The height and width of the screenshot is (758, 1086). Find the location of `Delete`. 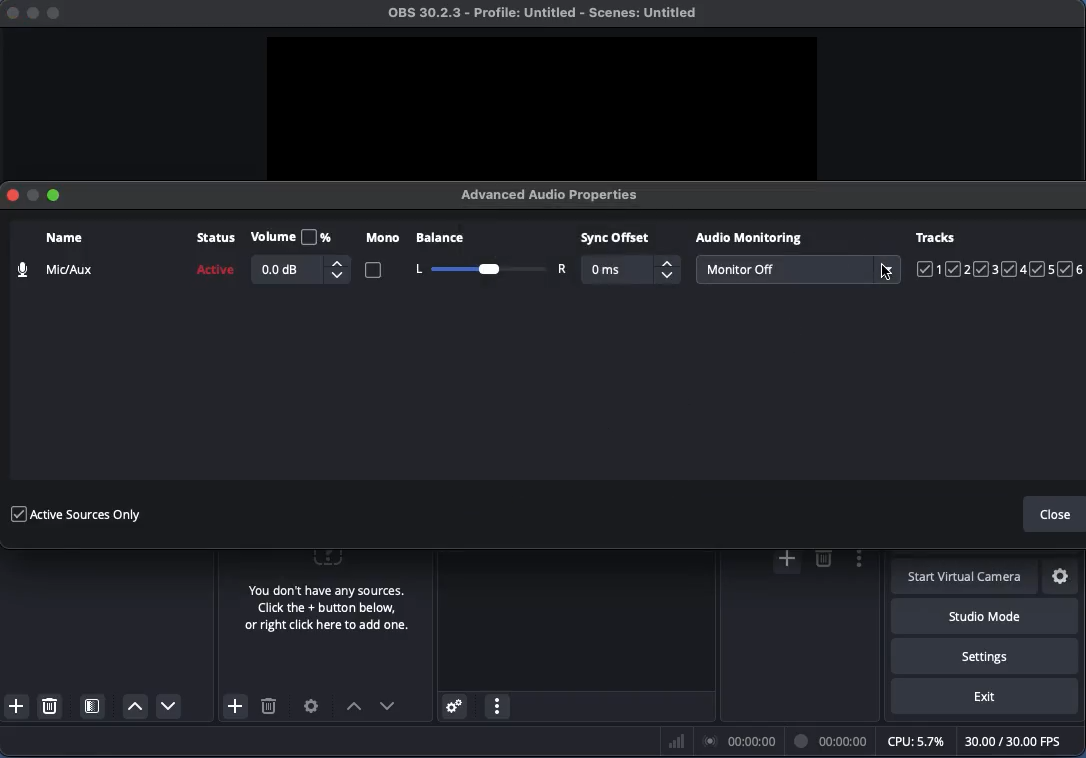

Delete is located at coordinates (269, 709).